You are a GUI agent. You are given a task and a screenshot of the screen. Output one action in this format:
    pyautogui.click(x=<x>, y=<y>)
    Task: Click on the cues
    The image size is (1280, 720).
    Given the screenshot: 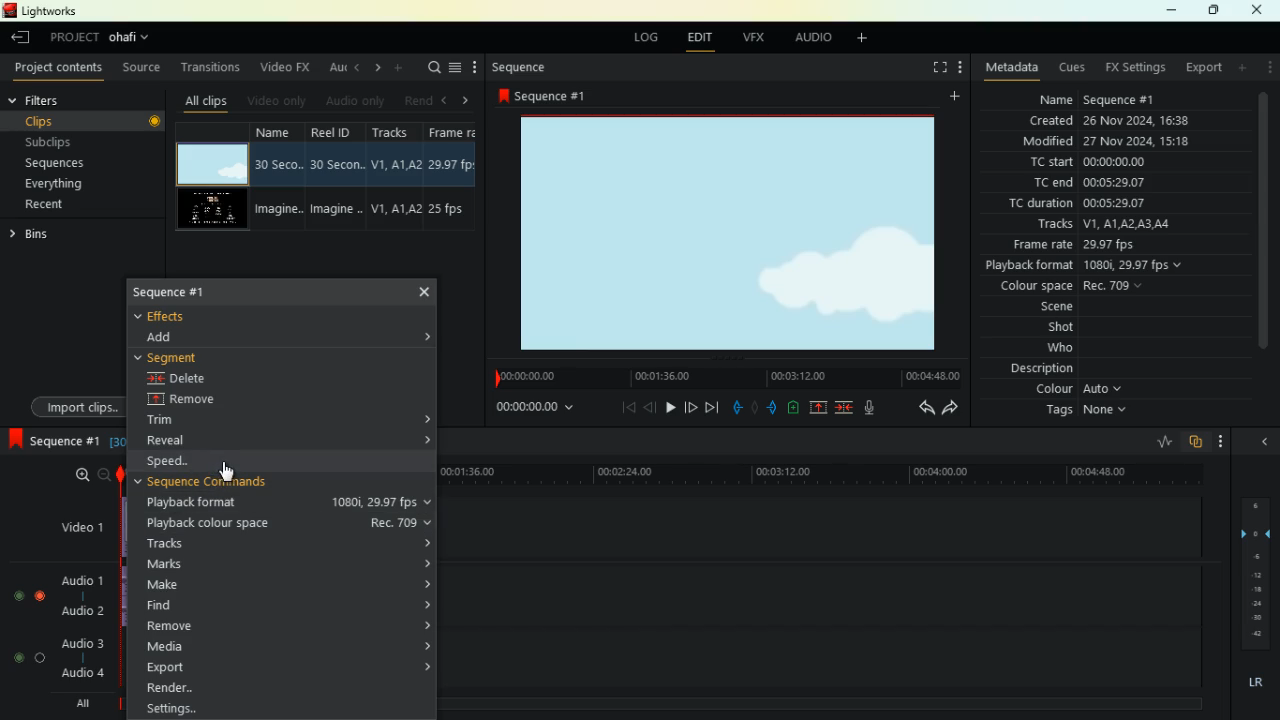 What is the action you would take?
    pyautogui.click(x=1074, y=68)
    